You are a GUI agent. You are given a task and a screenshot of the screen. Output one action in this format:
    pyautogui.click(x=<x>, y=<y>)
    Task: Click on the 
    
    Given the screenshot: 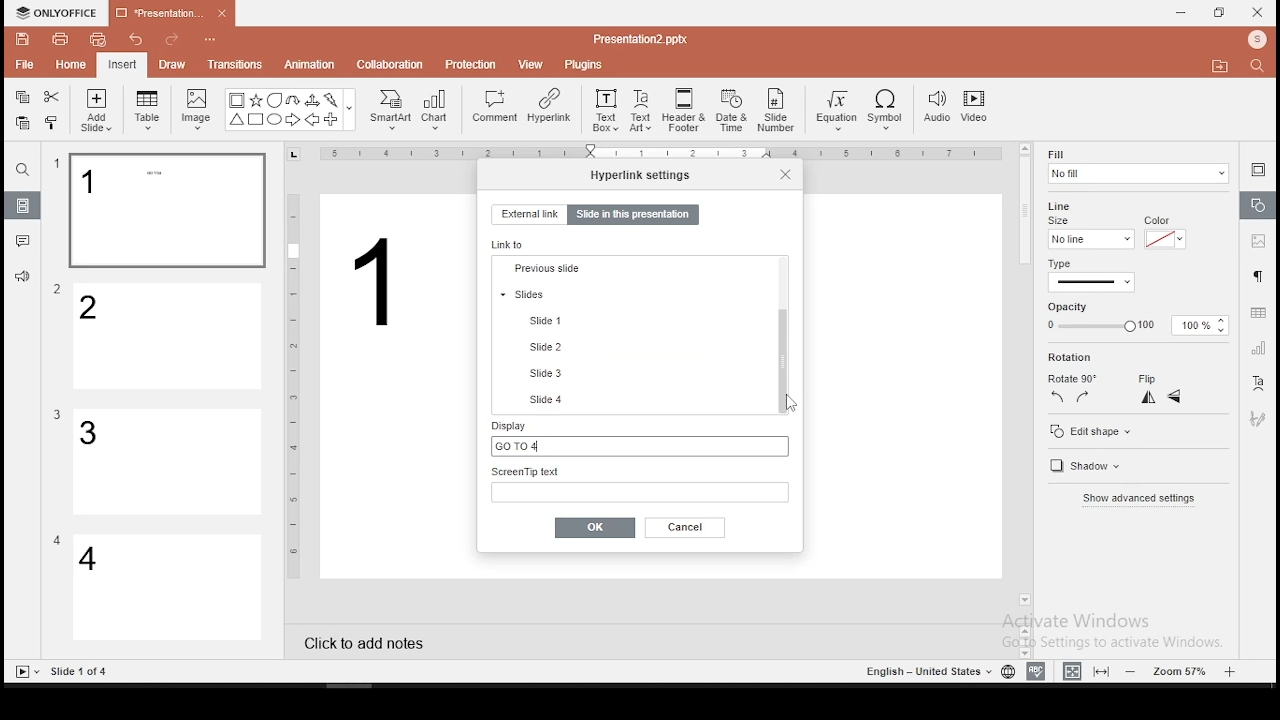 What is the action you would take?
    pyautogui.click(x=665, y=155)
    